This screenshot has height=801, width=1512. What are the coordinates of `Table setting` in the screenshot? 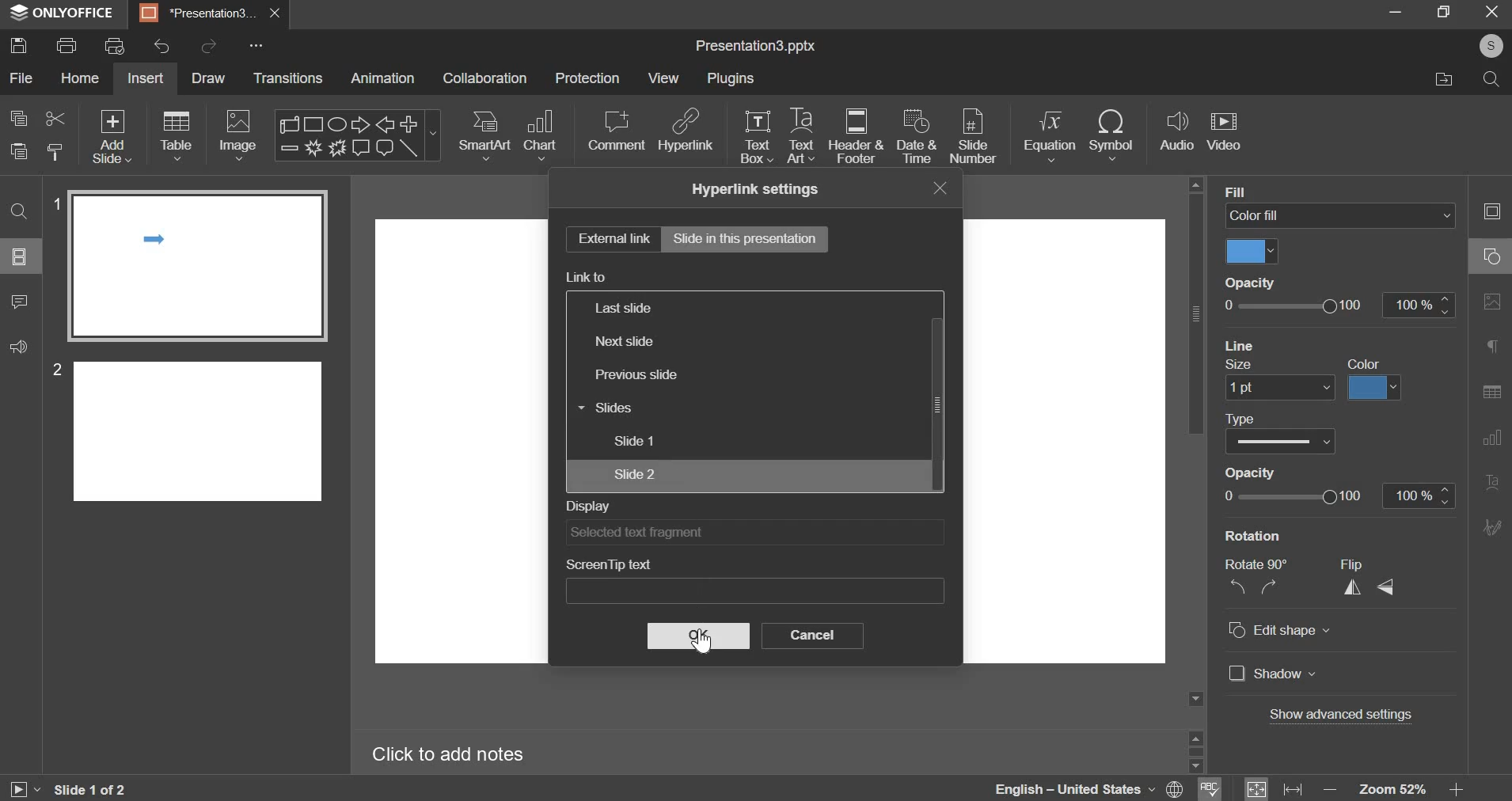 It's located at (1492, 394).